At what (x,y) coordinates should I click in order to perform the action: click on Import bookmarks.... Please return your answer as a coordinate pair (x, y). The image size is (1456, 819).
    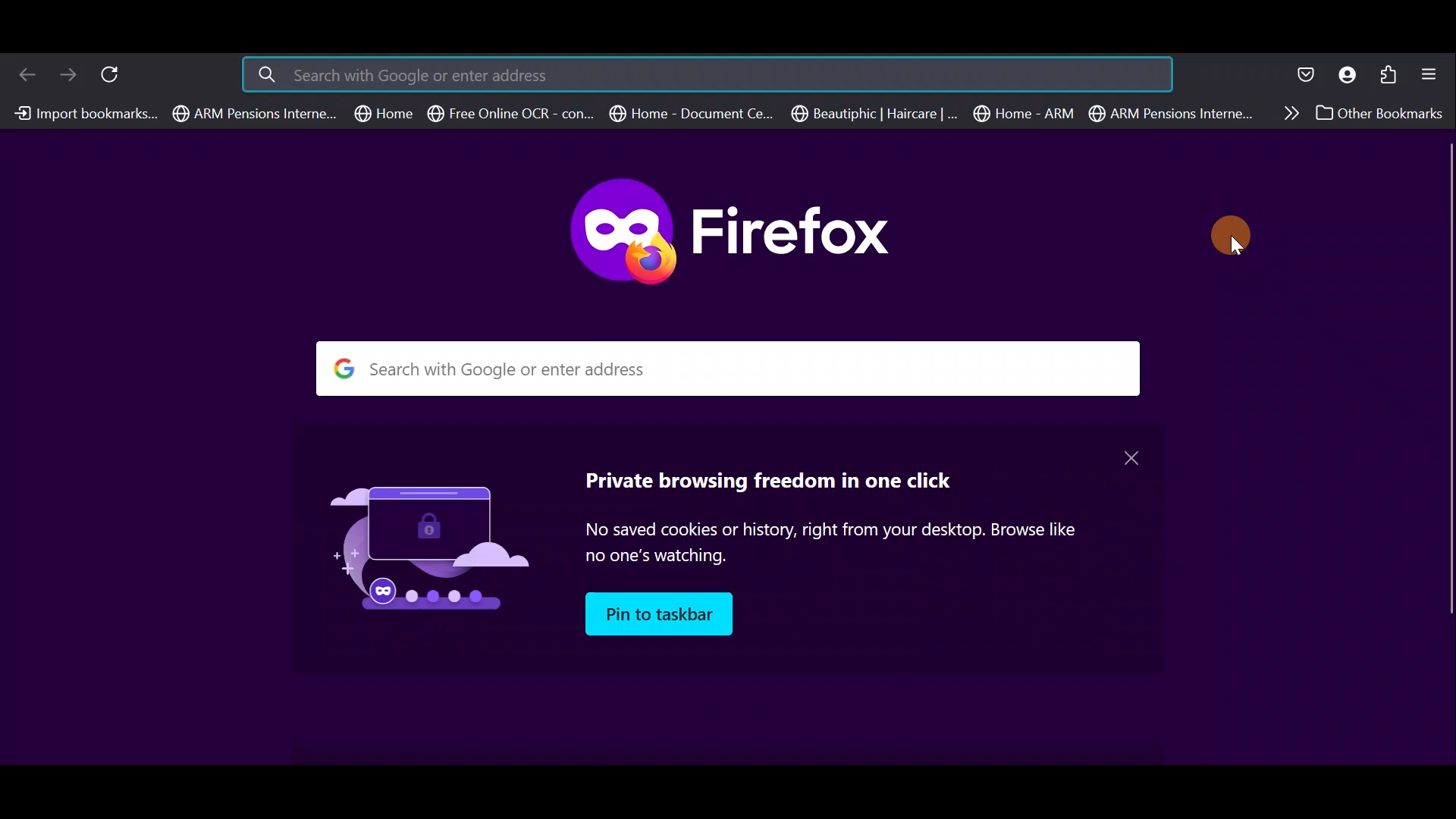
    Looking at the image, I should click on (83, 113).